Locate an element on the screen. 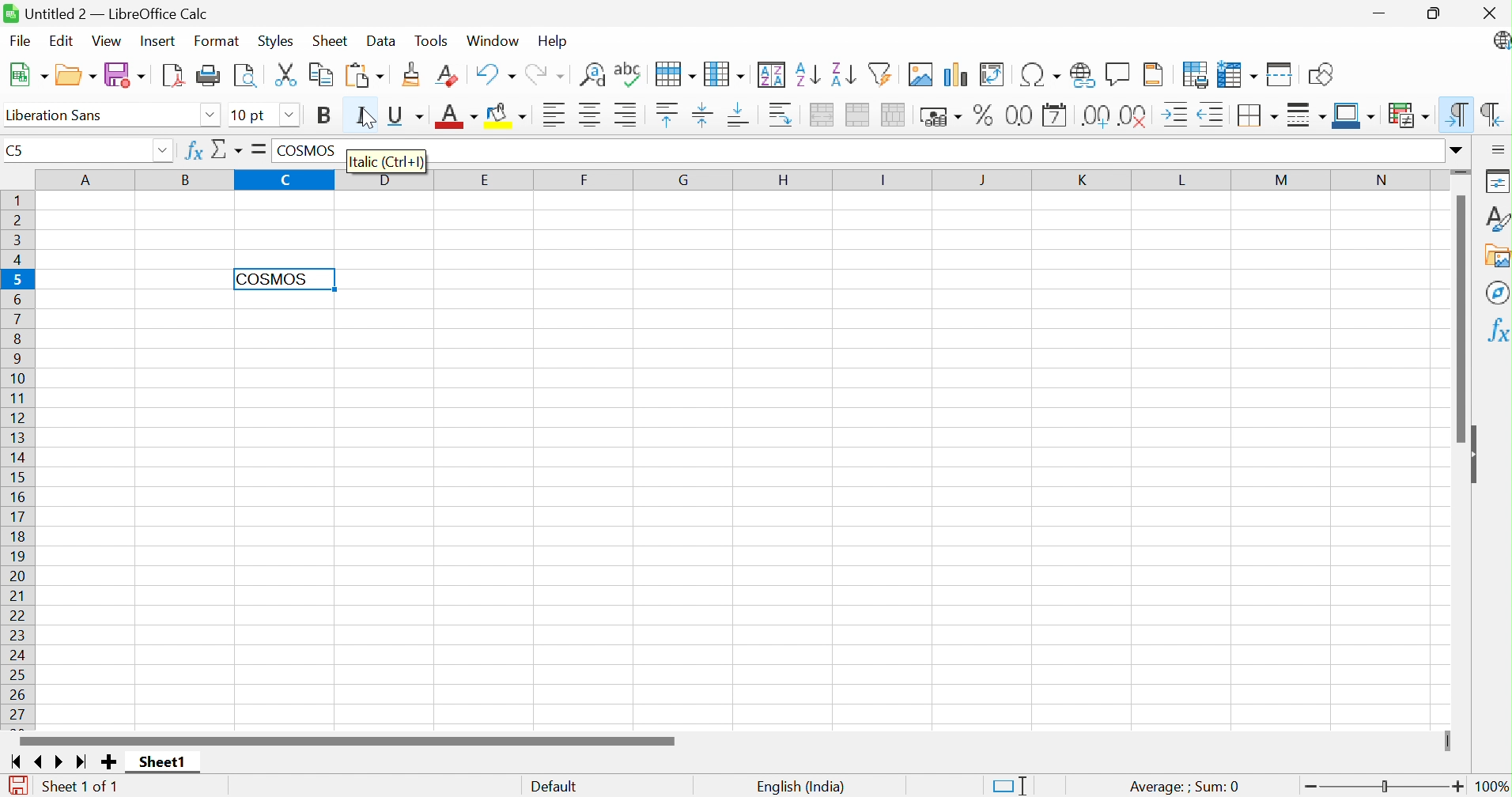  Borders is located at coordinates (1255, 116).